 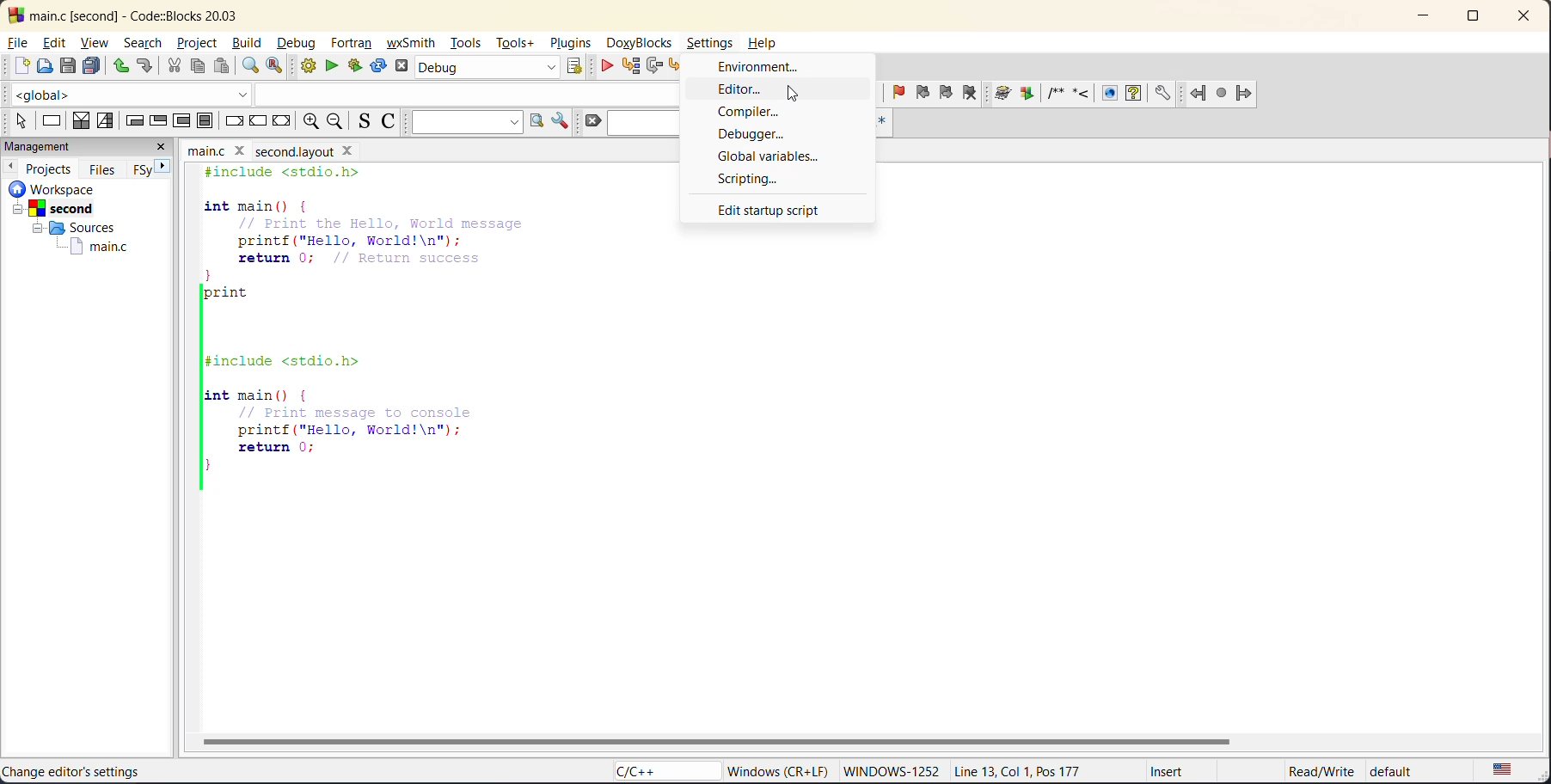 I want to click on zoom out, so click(x=340, y=121).